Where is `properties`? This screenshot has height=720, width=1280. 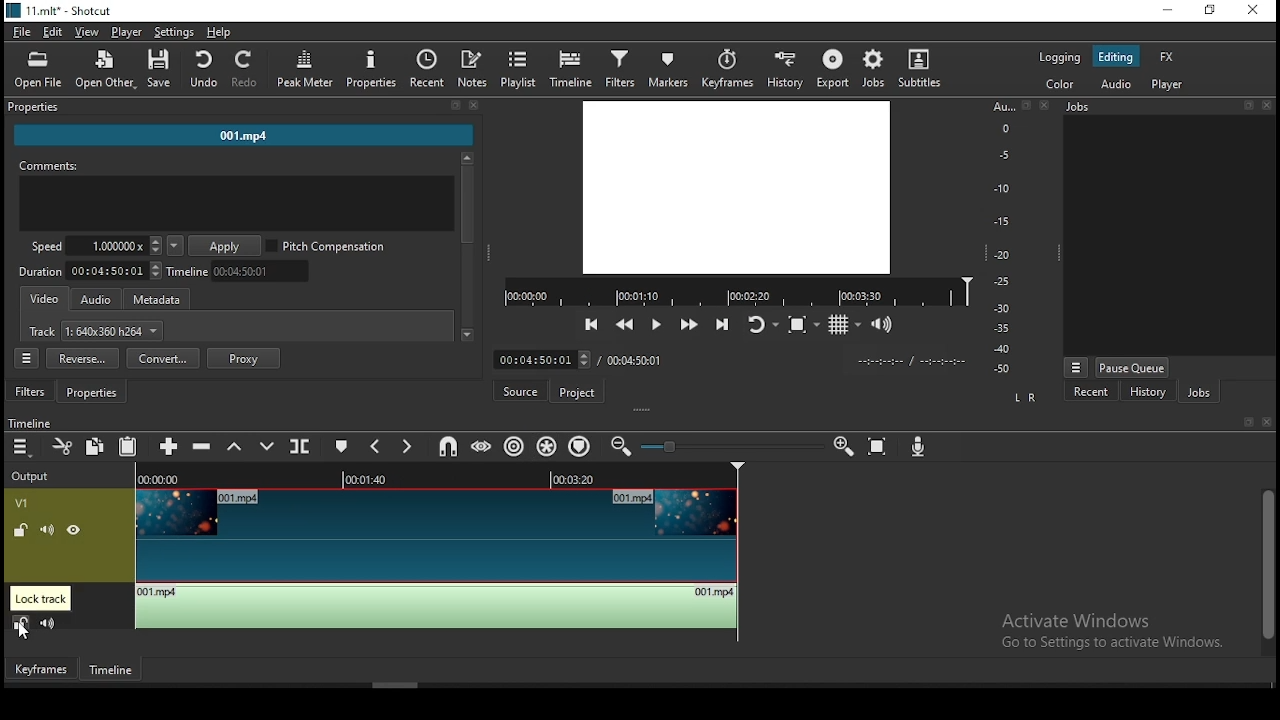
properties is located at coordinates (371, 68).